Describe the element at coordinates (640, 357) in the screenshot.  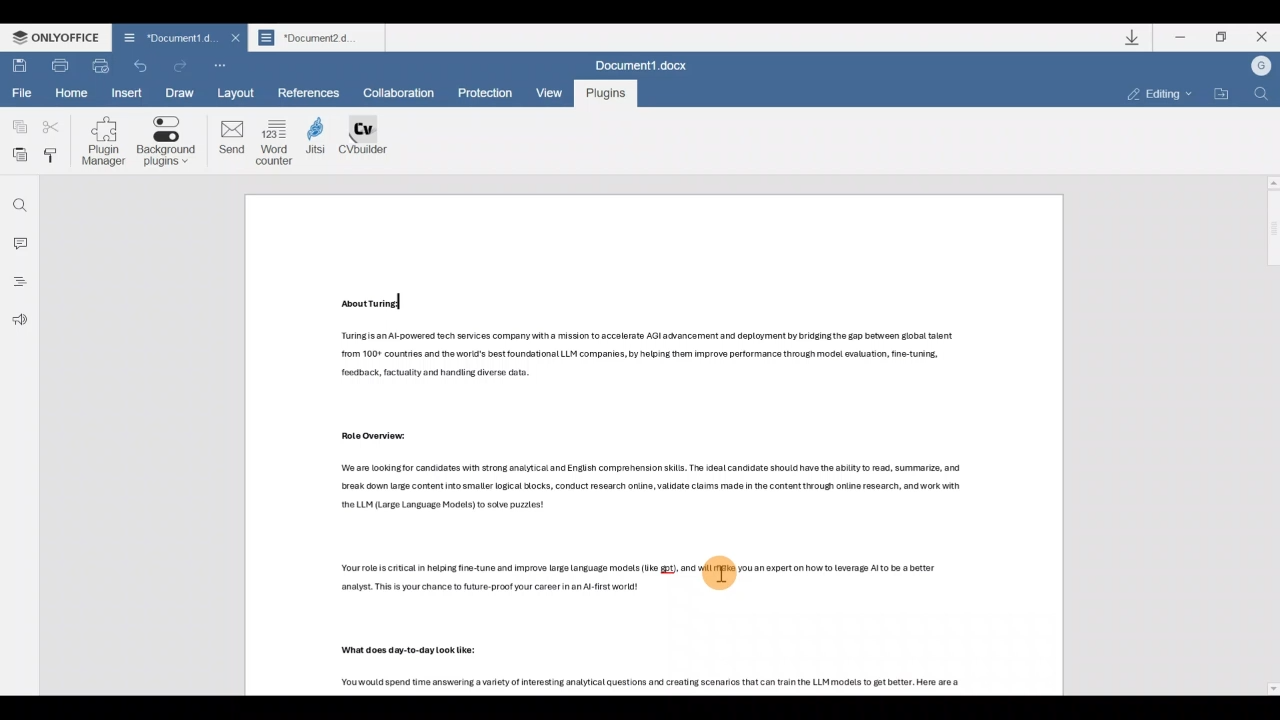
I see `` at that location.